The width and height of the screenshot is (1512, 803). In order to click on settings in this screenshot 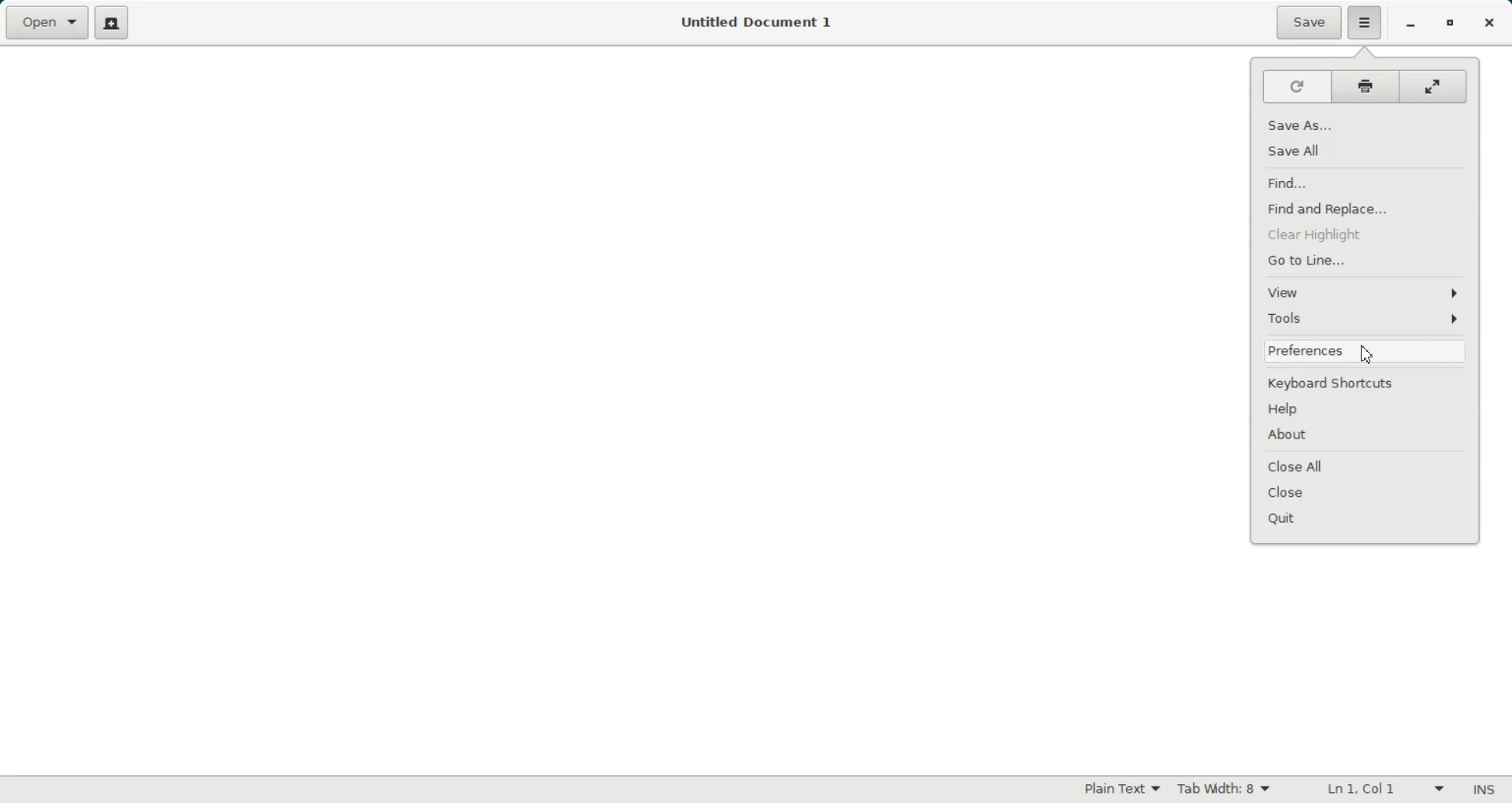, I will do `click(1364, 24)`.